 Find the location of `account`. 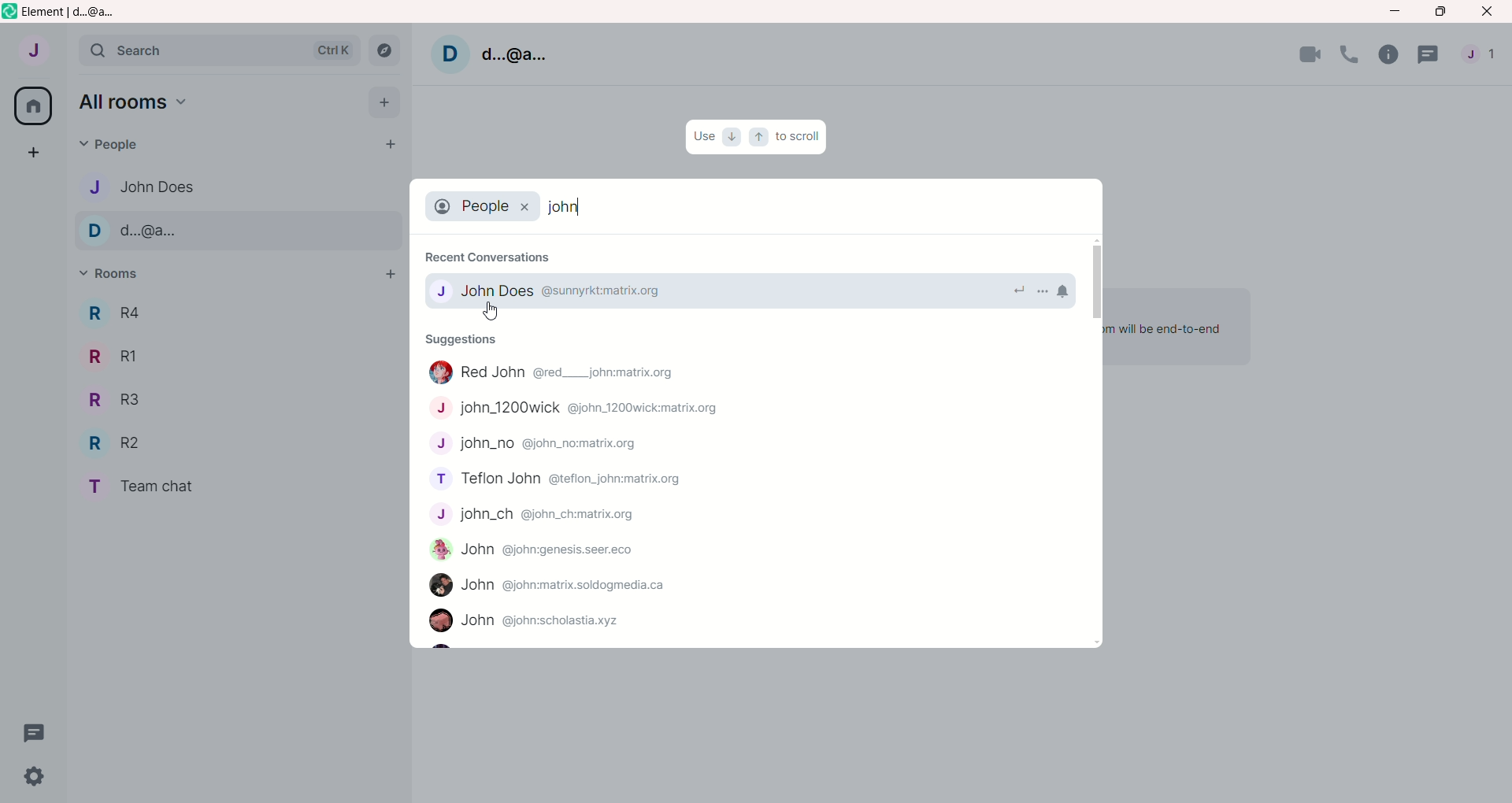

account is located at coordinates (34, 53).